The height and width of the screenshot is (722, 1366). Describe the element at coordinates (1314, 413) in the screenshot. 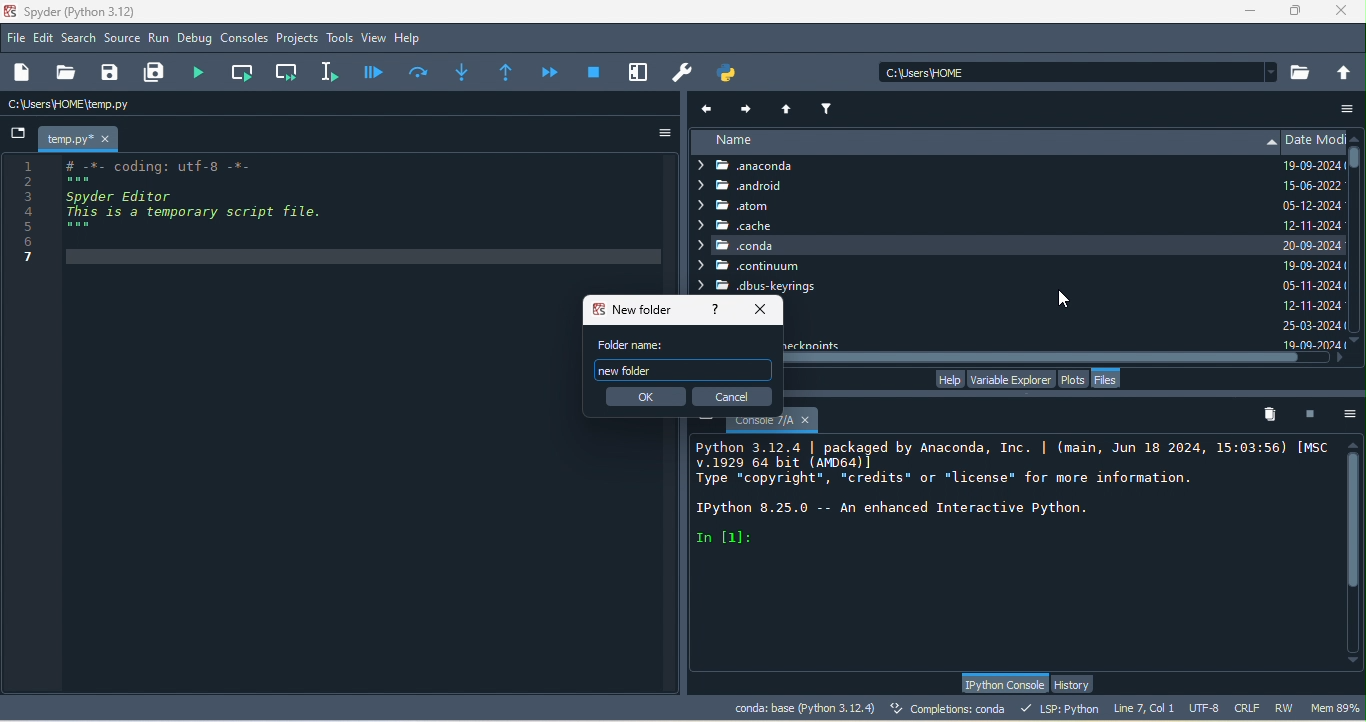

I see `interrupt kenel` at that location.